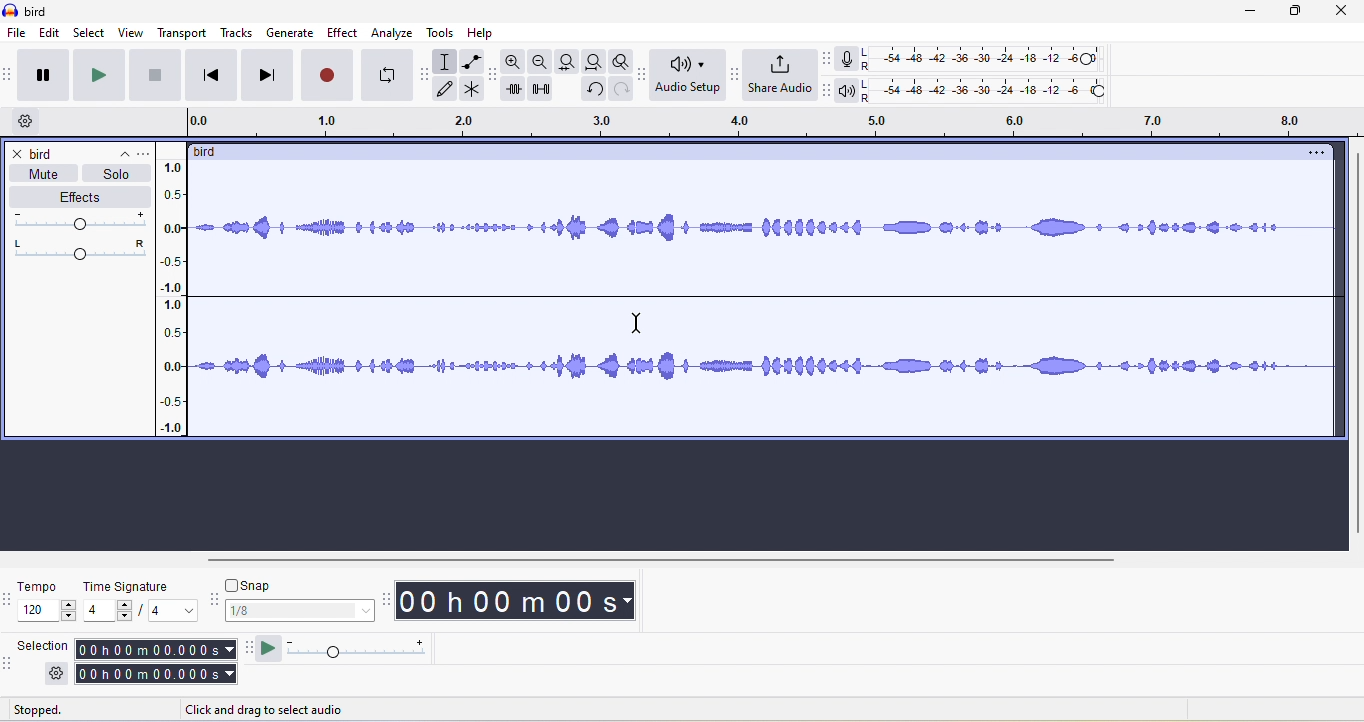  I want to click on bird, so click(45, 155).